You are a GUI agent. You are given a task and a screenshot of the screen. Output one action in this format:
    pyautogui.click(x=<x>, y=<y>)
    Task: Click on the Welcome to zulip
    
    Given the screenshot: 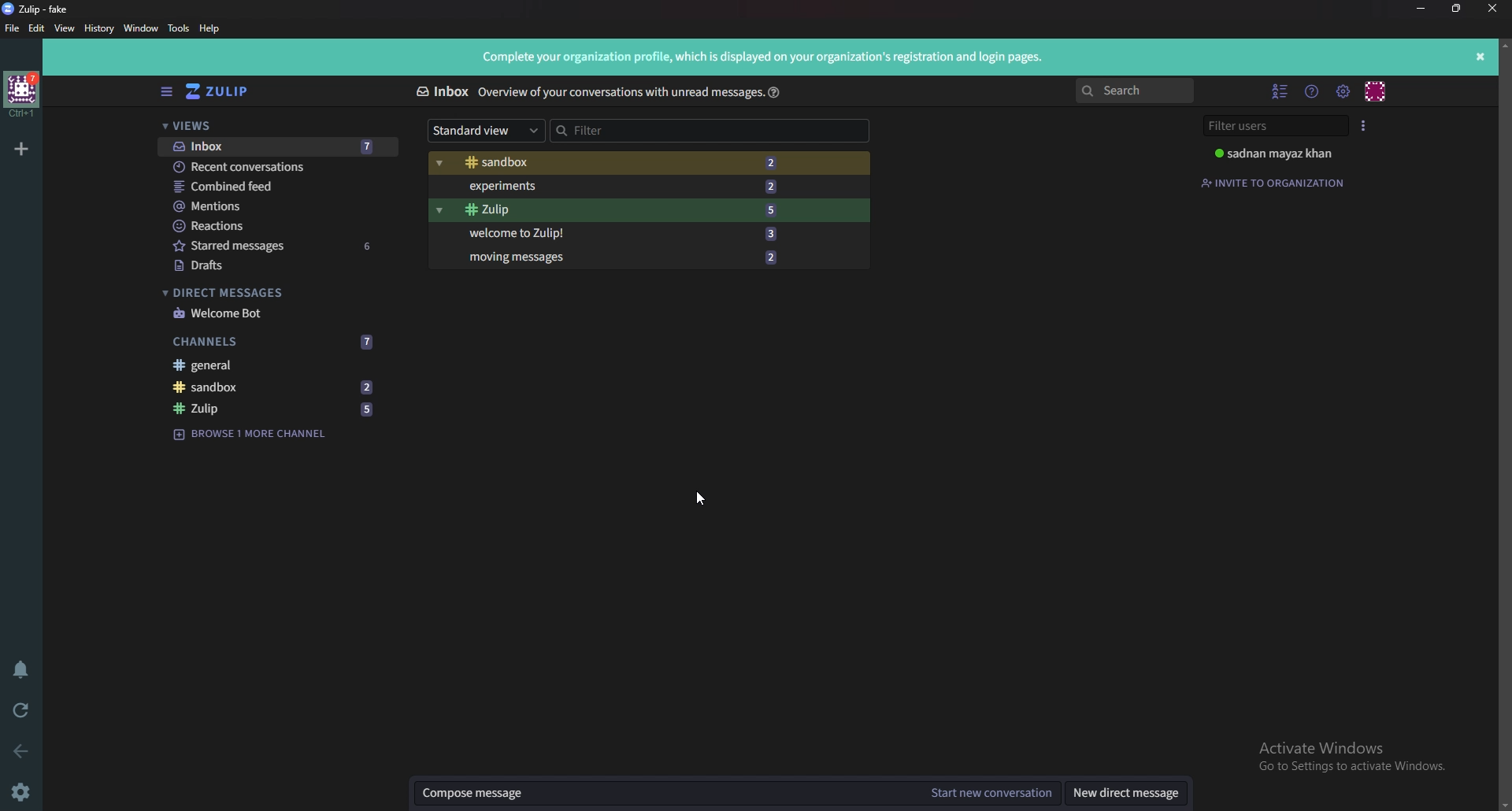 What is the action you would take?
    pyautogui.click(x=622, y=232)
    